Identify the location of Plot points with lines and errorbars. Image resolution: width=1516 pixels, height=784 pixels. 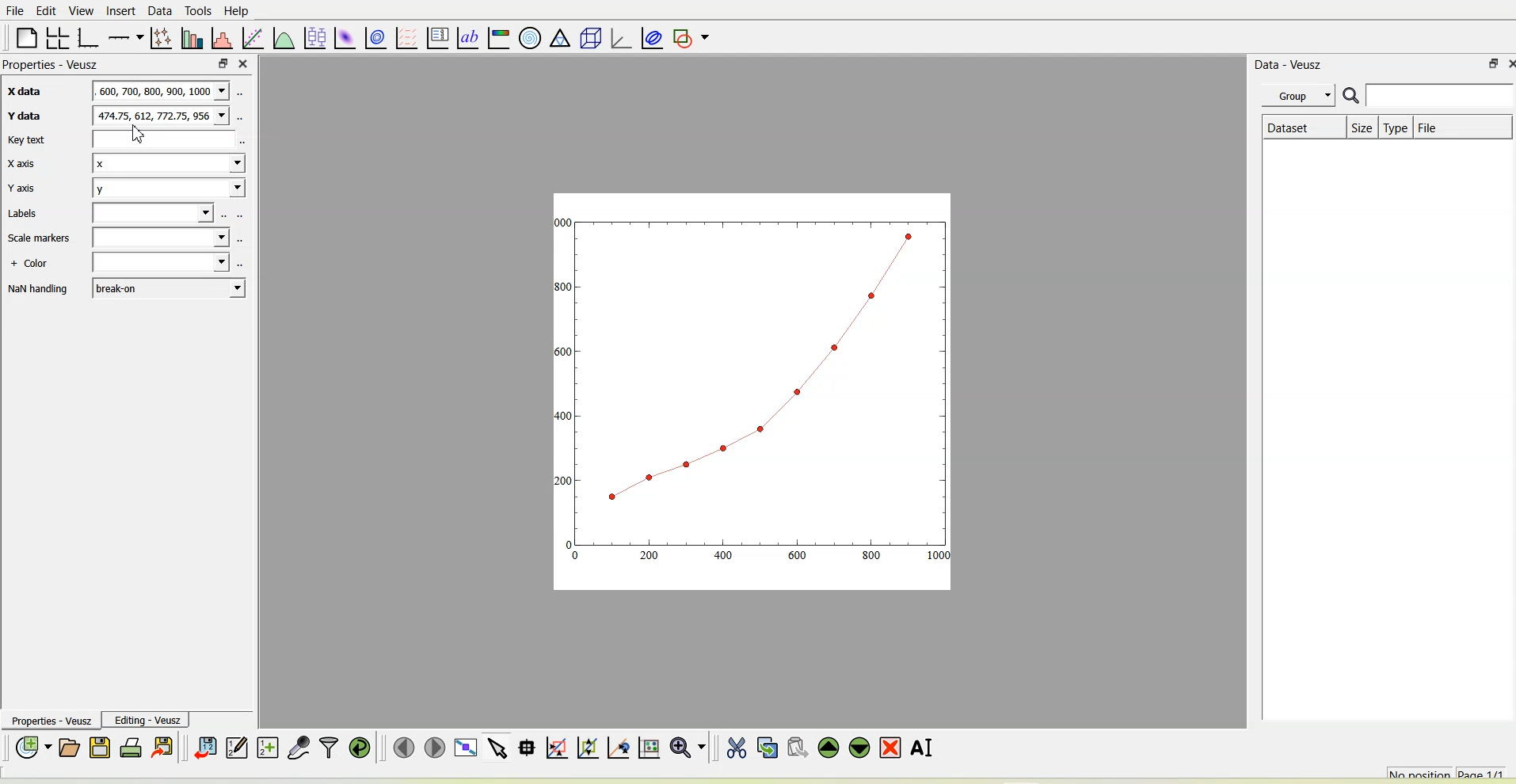
(162, 36).